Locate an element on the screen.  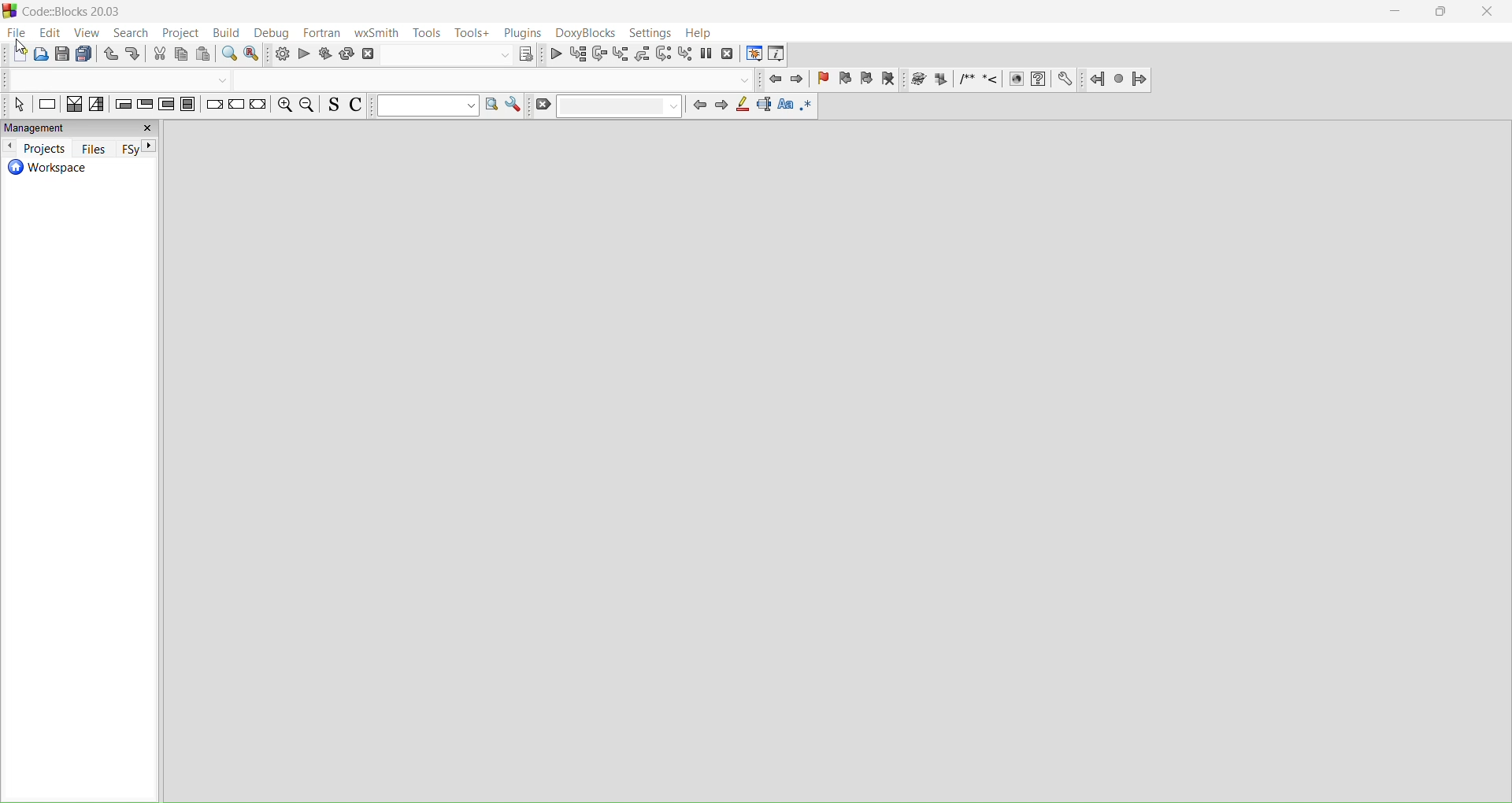
Doxyblocks is located at coordinates (586, 33).